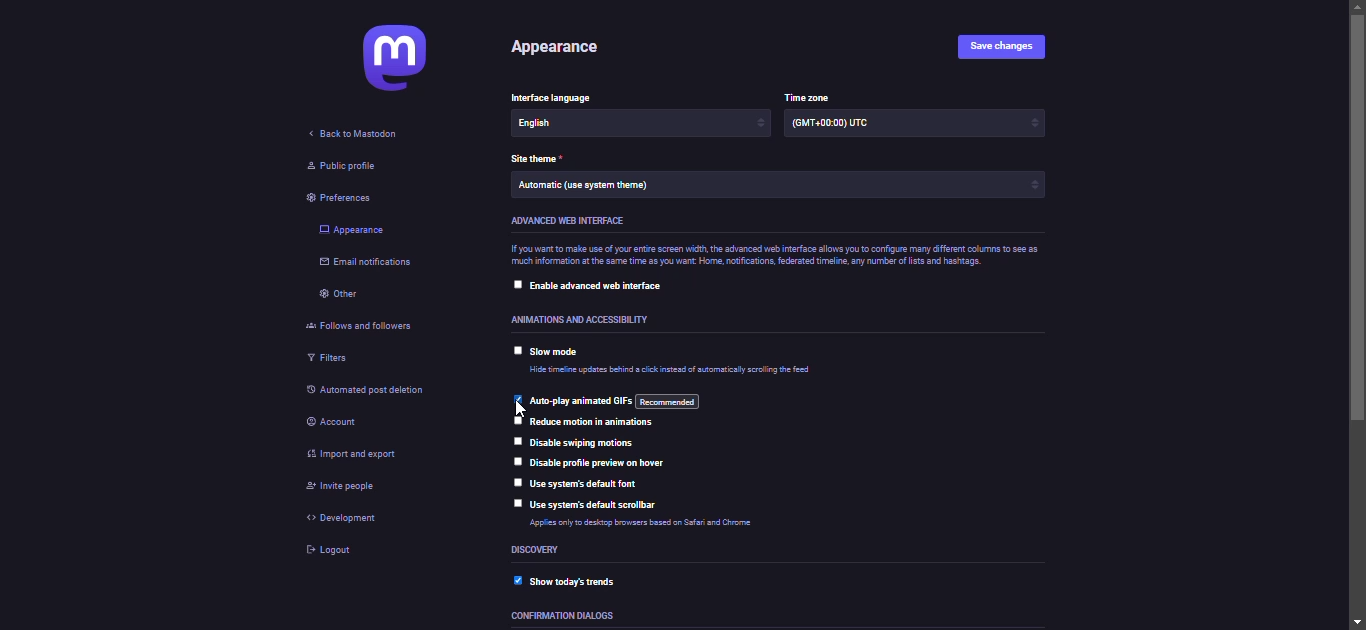 This screenshot has height=630, width=1366. I want to click on slow mode, so click(555, 353).